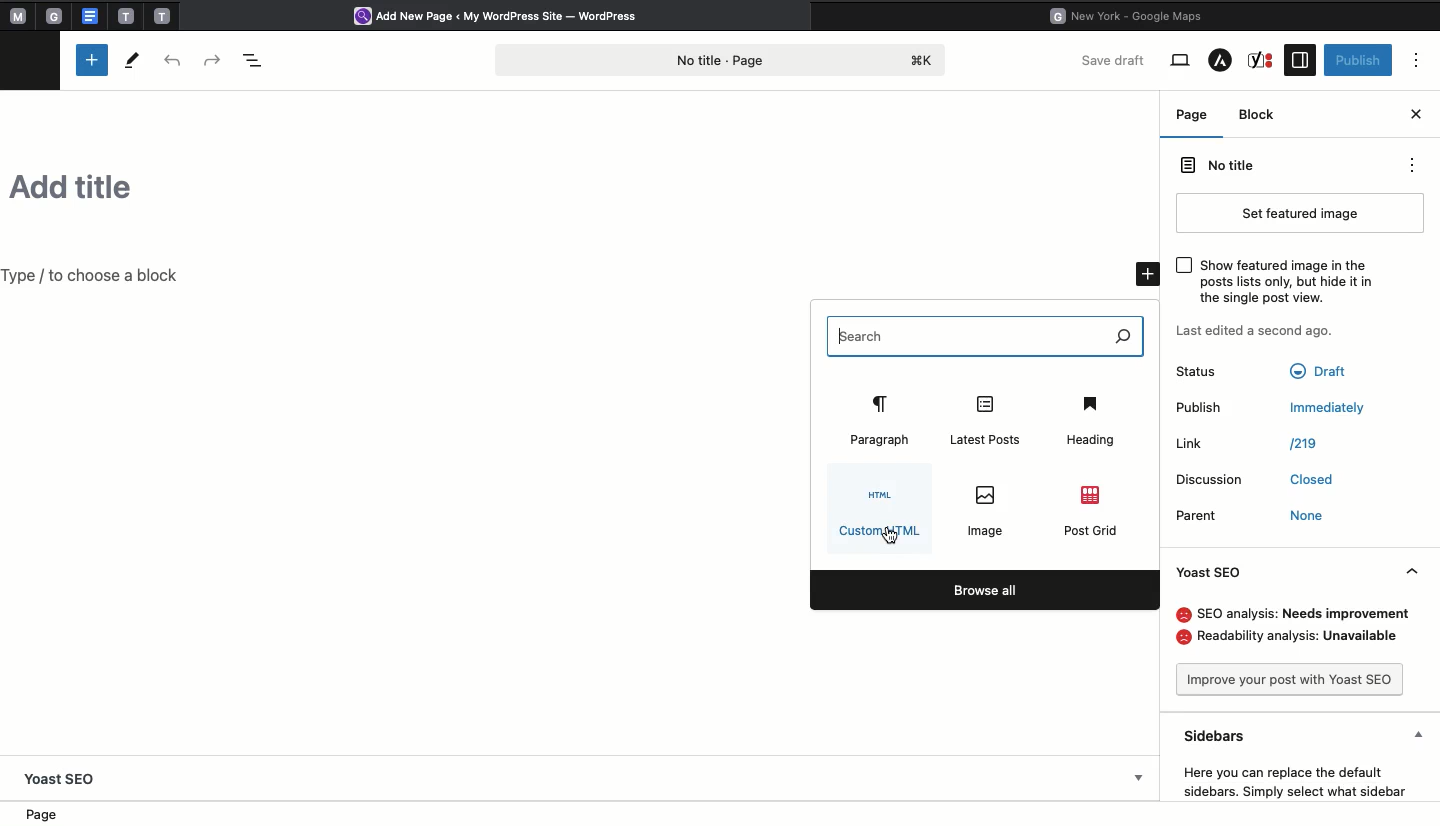  I want to click on Post grid, so click(1092, 510).